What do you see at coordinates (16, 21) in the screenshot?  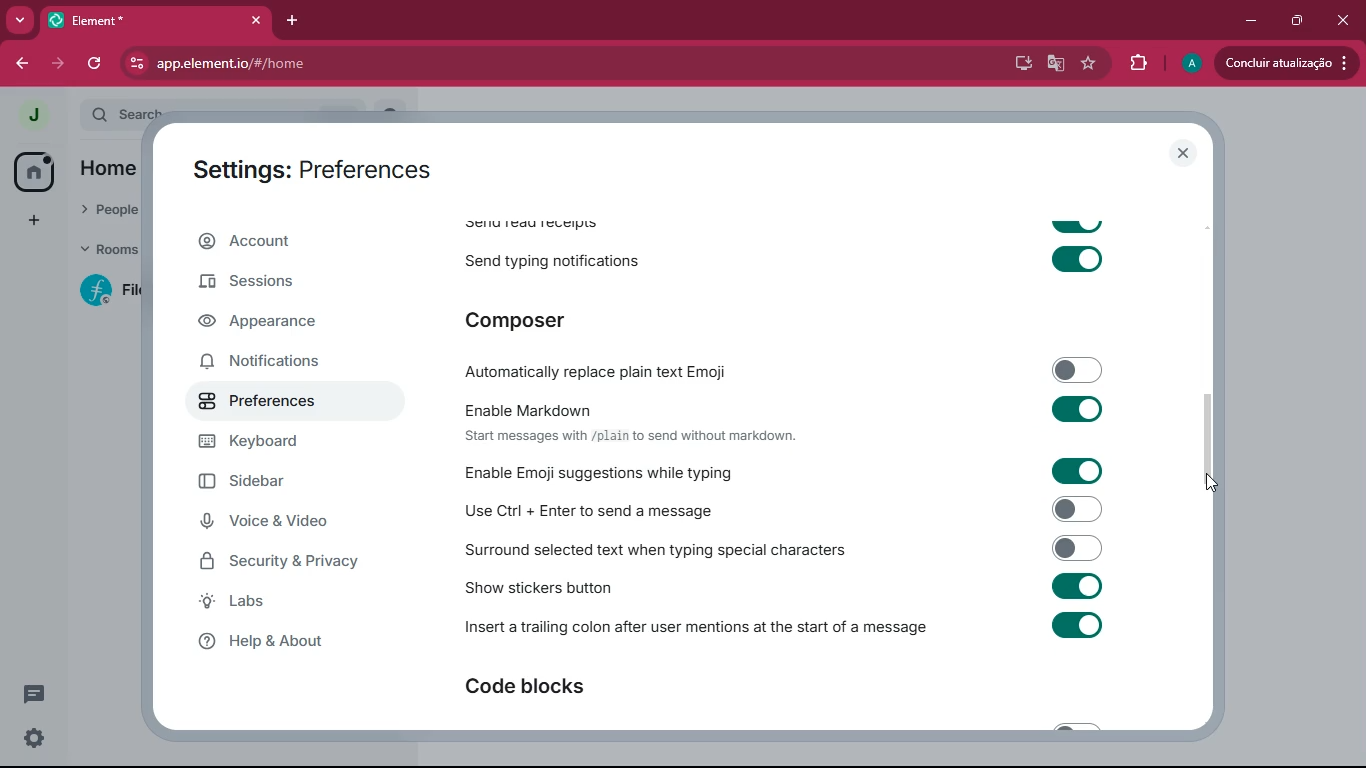 I see `more` at bounding box center [16, 21].